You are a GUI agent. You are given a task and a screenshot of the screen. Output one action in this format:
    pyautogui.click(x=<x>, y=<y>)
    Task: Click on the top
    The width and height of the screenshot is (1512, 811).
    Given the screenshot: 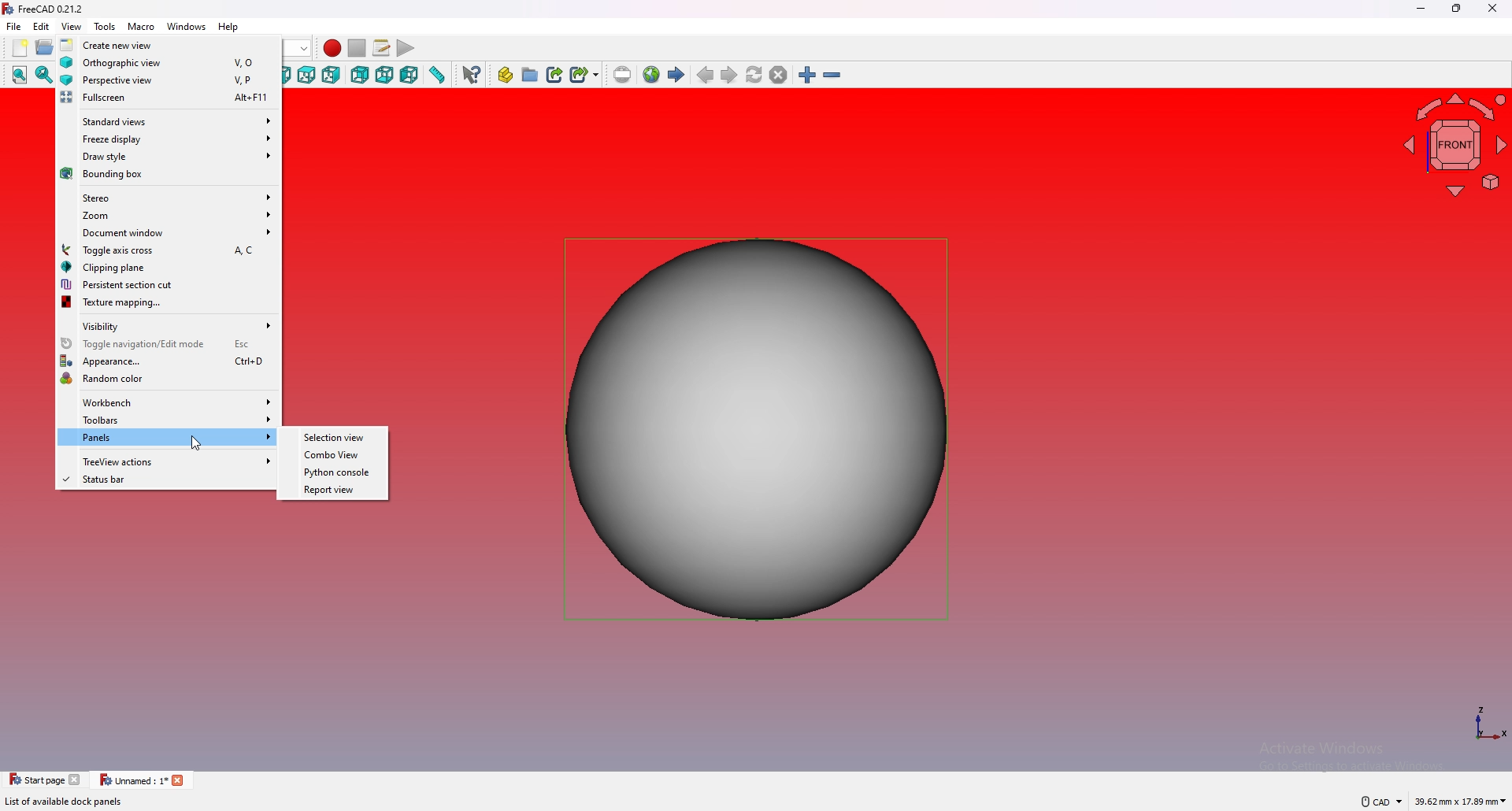 What is the action you would take?
    pyautogui.click(x=306, y=75)
    